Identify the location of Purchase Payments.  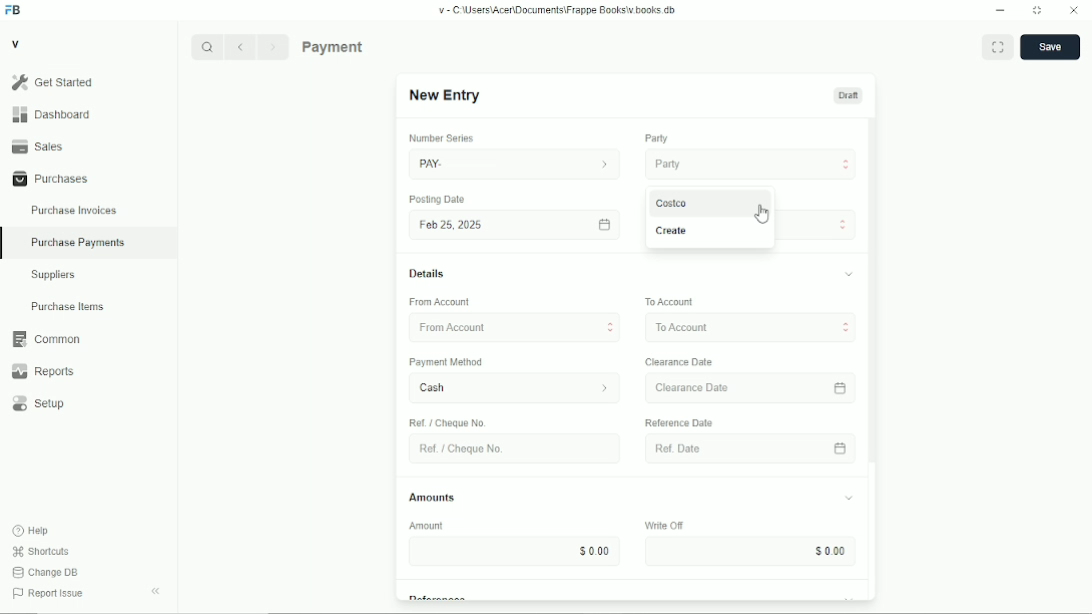
(372, 46).